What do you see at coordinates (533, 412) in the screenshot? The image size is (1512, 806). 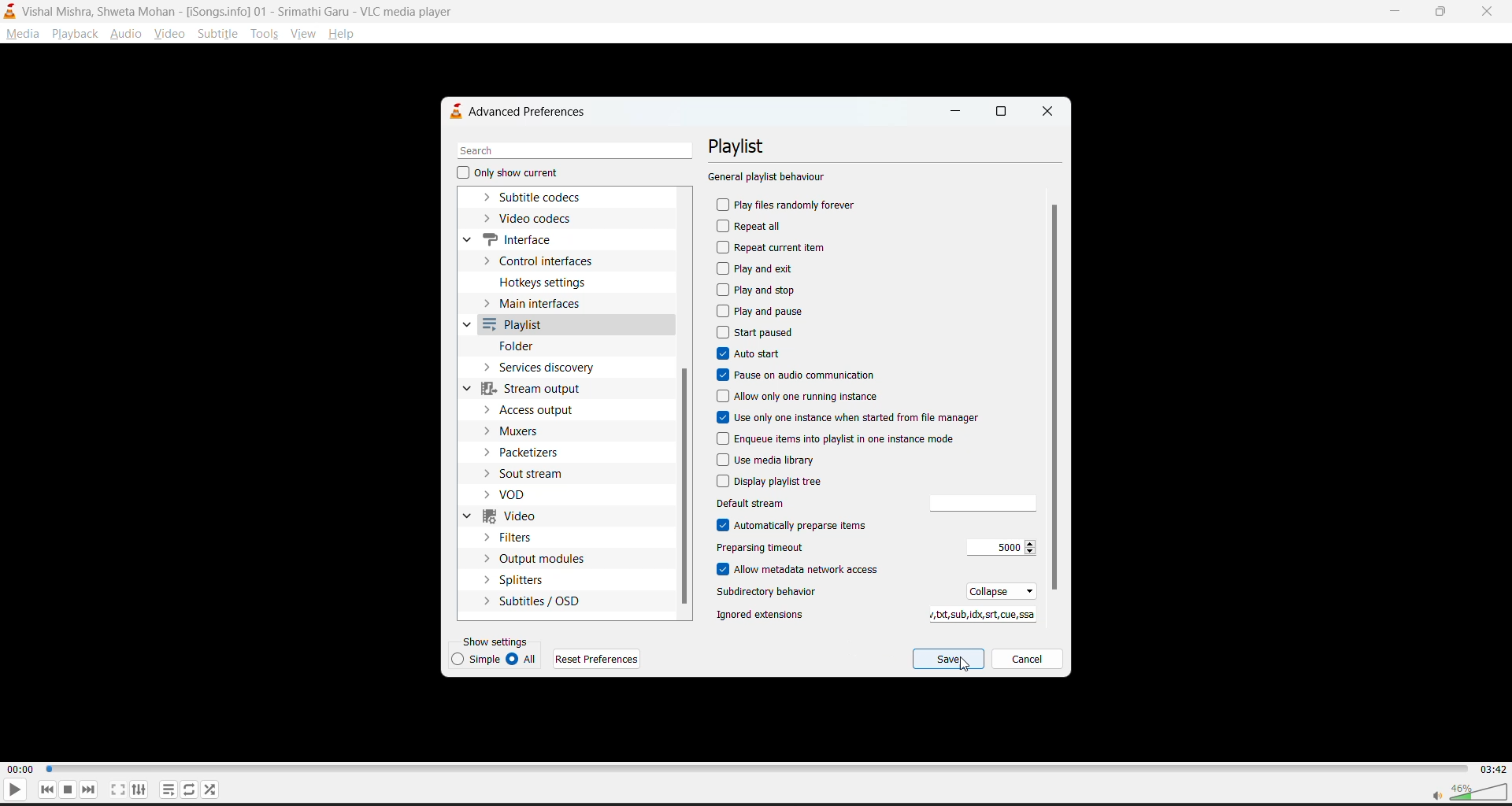 I see `access output` at bounding box center [533, 412].